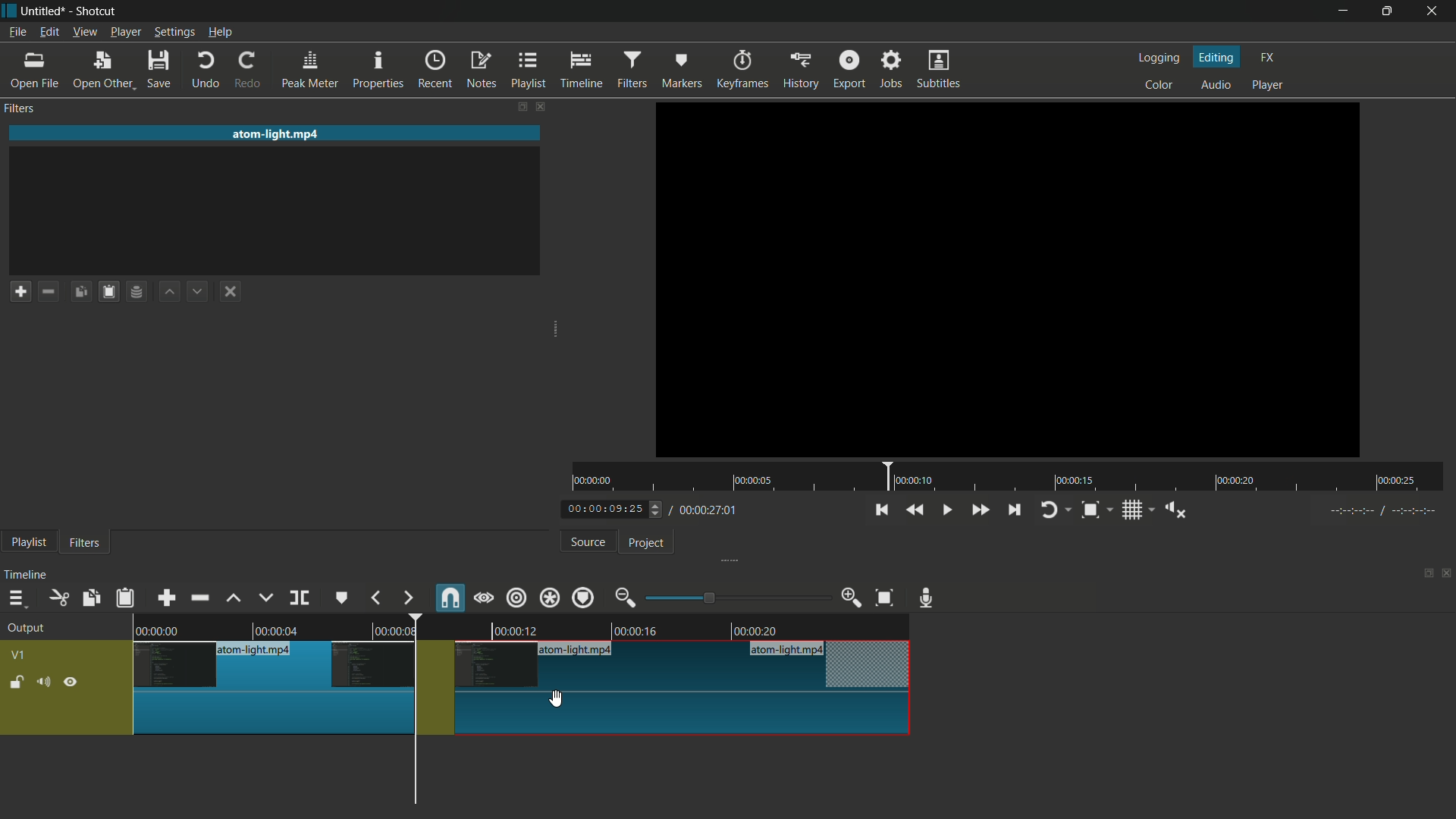 This screenshot has height=819, width=1456. I want to click on skip to the previous point, so click(881, 510).